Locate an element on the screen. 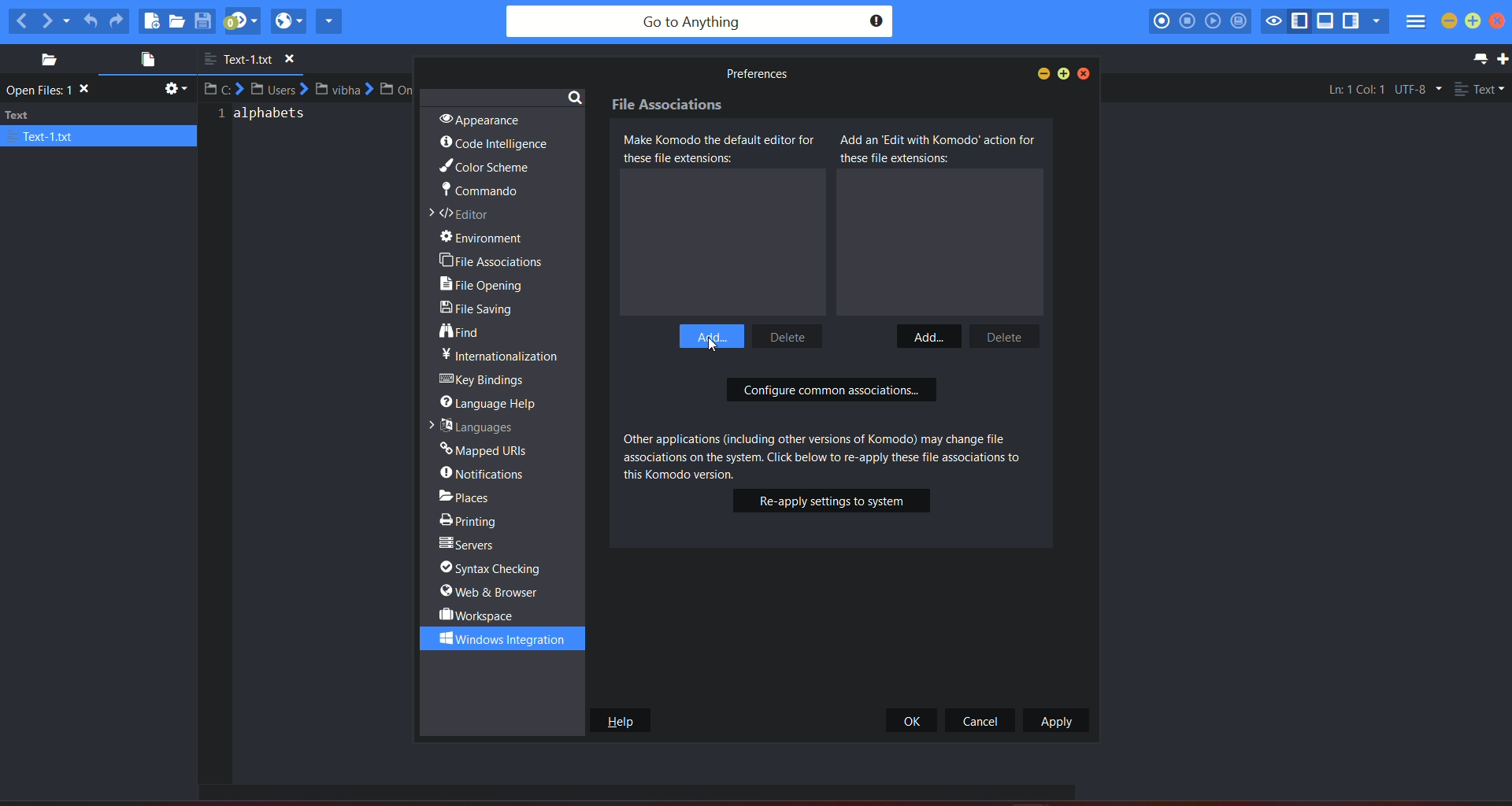 The image size is (1512, 806). show/hide left pane is located at coordinates (1303, 19).